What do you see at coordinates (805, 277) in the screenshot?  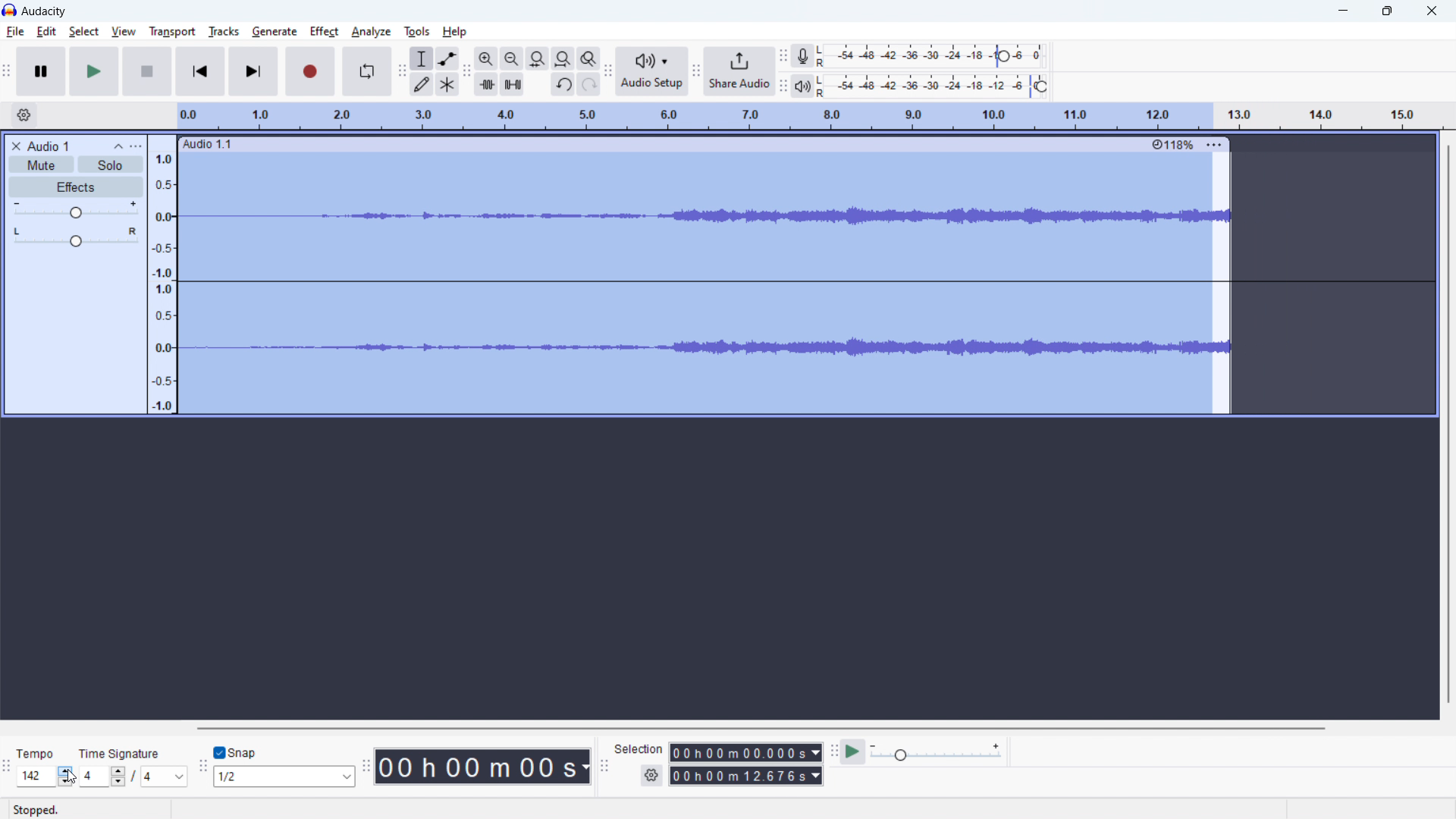 I see `Straight wave` at bounding box center [805, 277].